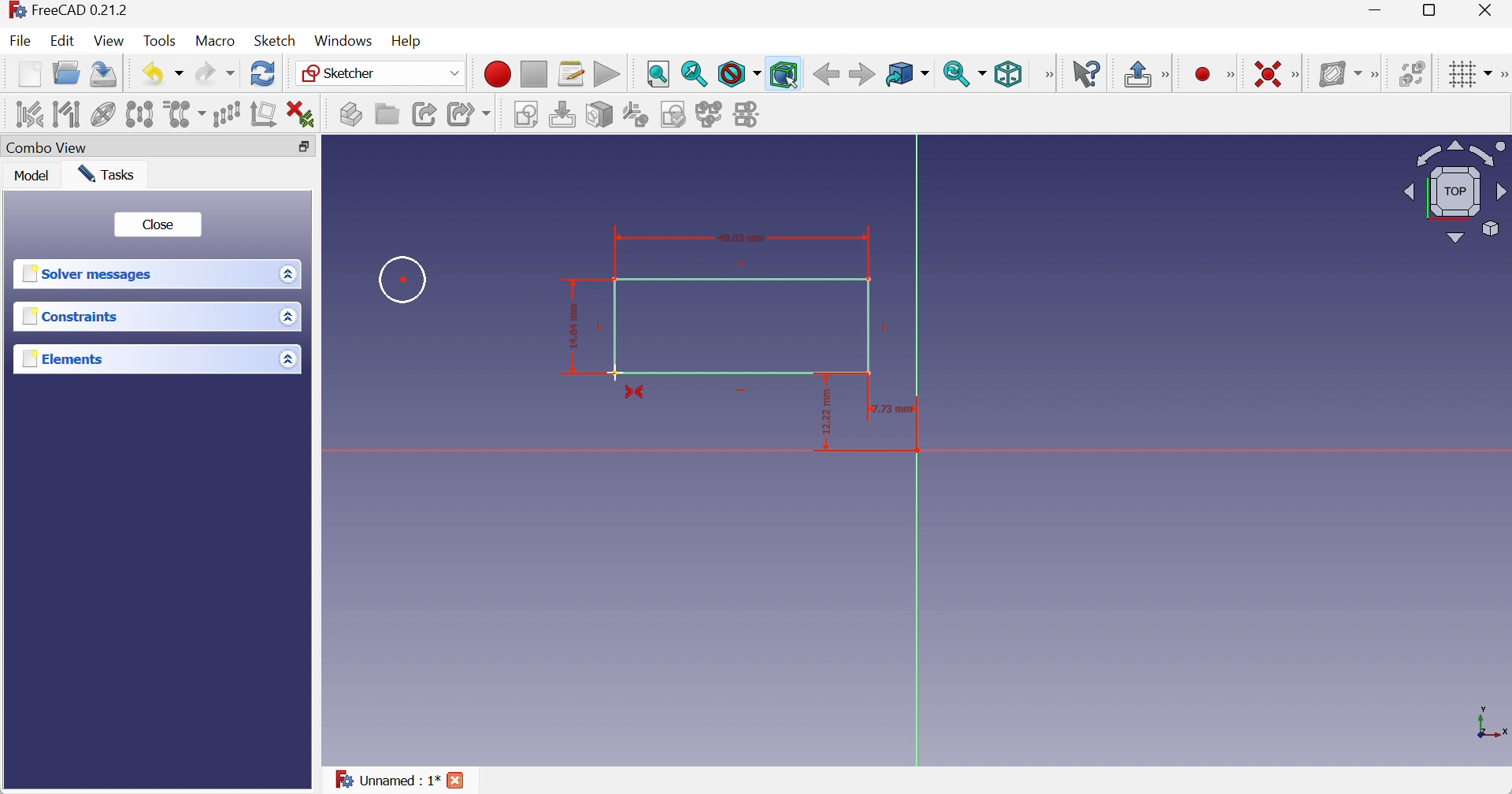 Image resolution: width=1512 pixels, height=794 pixels. What do you see at coordinates (69, 114) in the screenshot?
I see `Select associated geometry` at bounding box center [69, 114].